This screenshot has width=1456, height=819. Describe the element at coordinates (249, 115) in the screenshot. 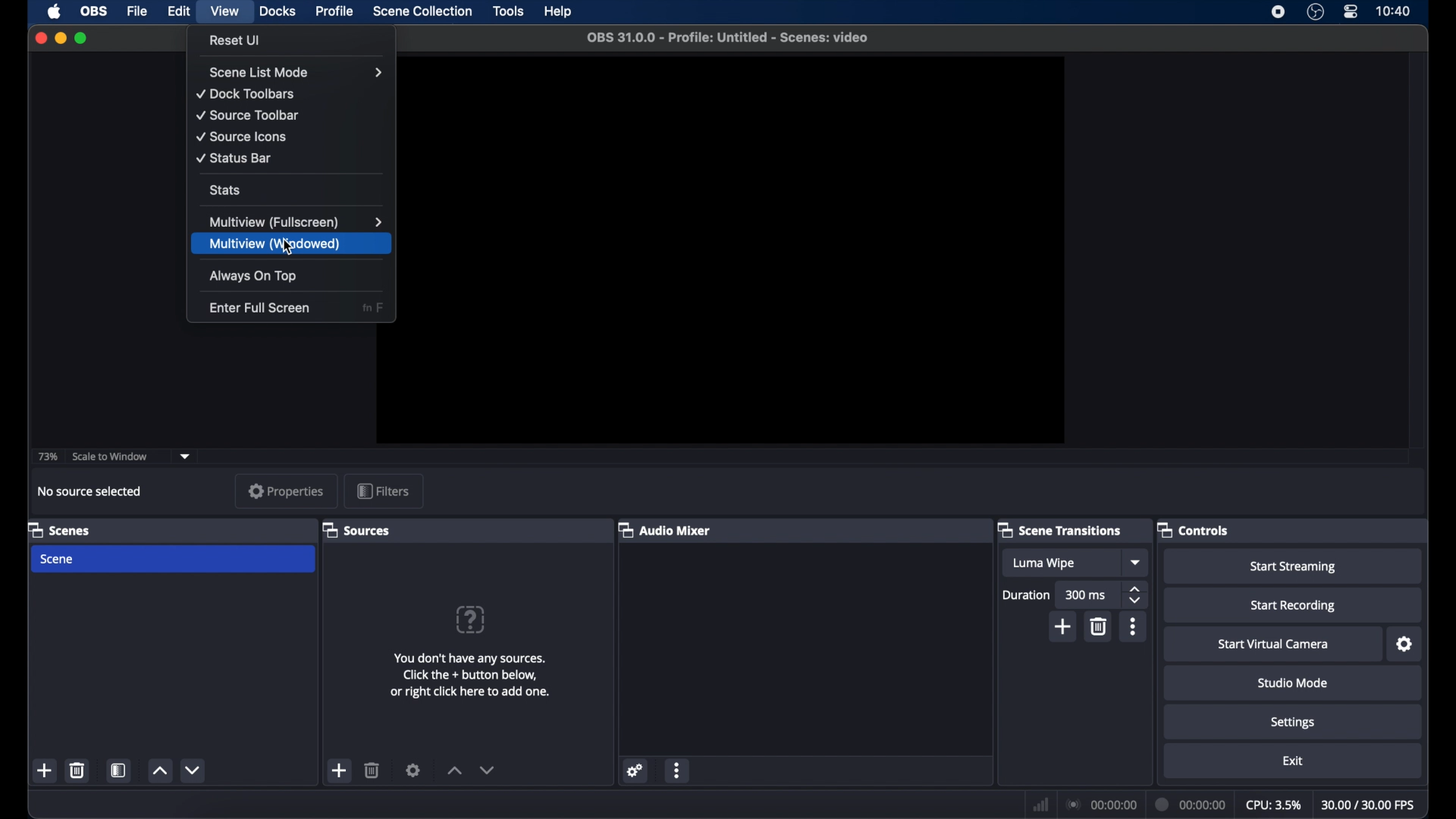

I see `source toolbar` at that location.